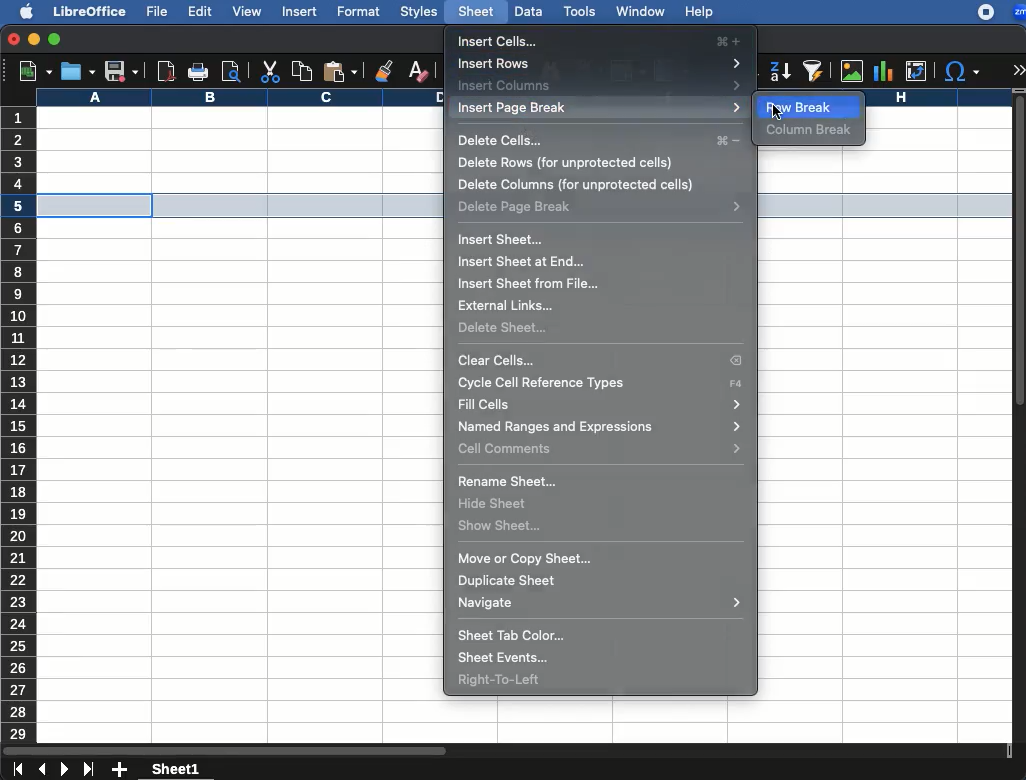 This screenshot has width=1026, height=780. What do you see at coordinates (886, 70) in the screenshot?
I see `chart` at bounding box center [886, 70].